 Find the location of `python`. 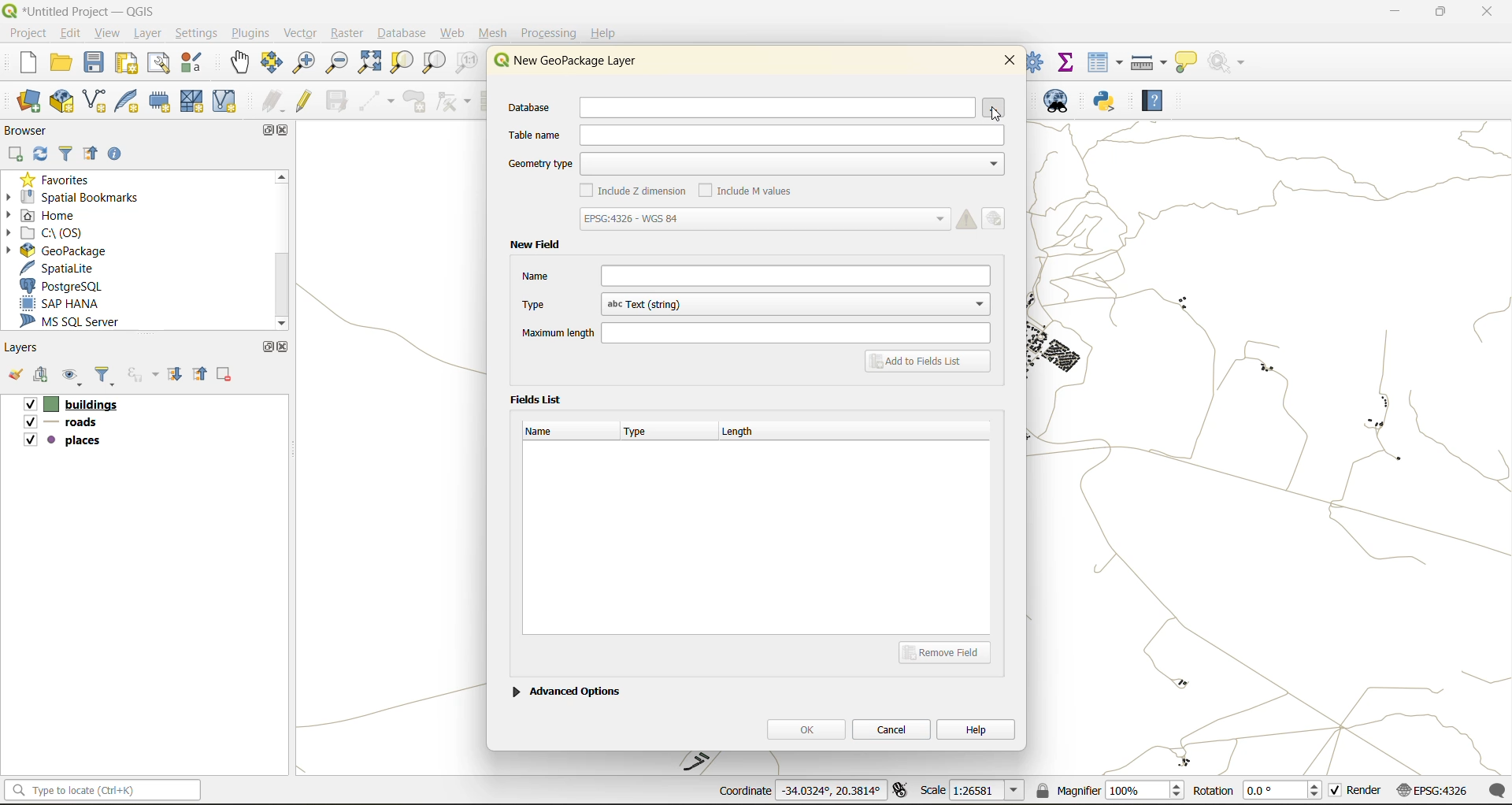

python is located at coordinates (1105, 102).